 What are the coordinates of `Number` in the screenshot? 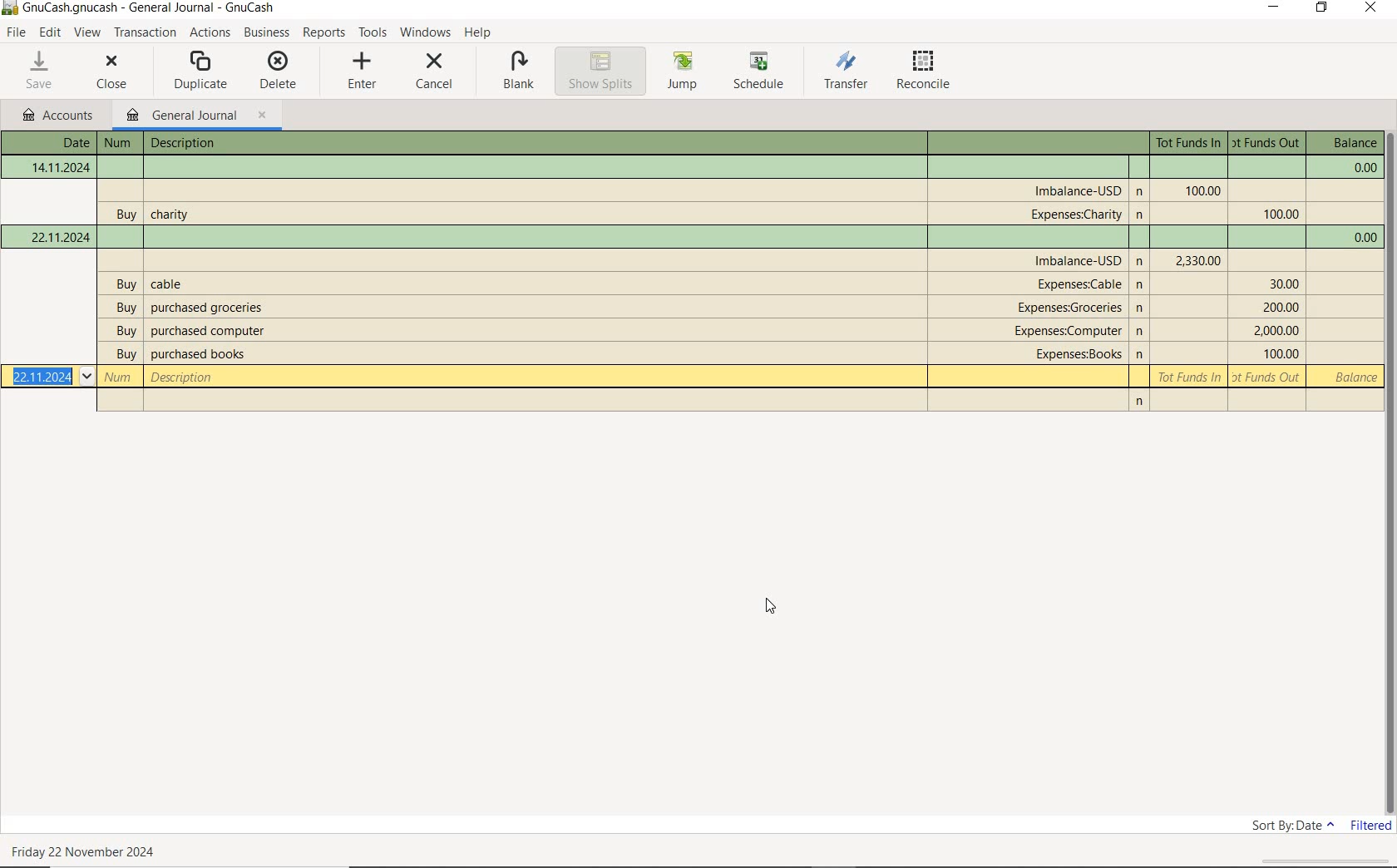 It's located at (120, 378).